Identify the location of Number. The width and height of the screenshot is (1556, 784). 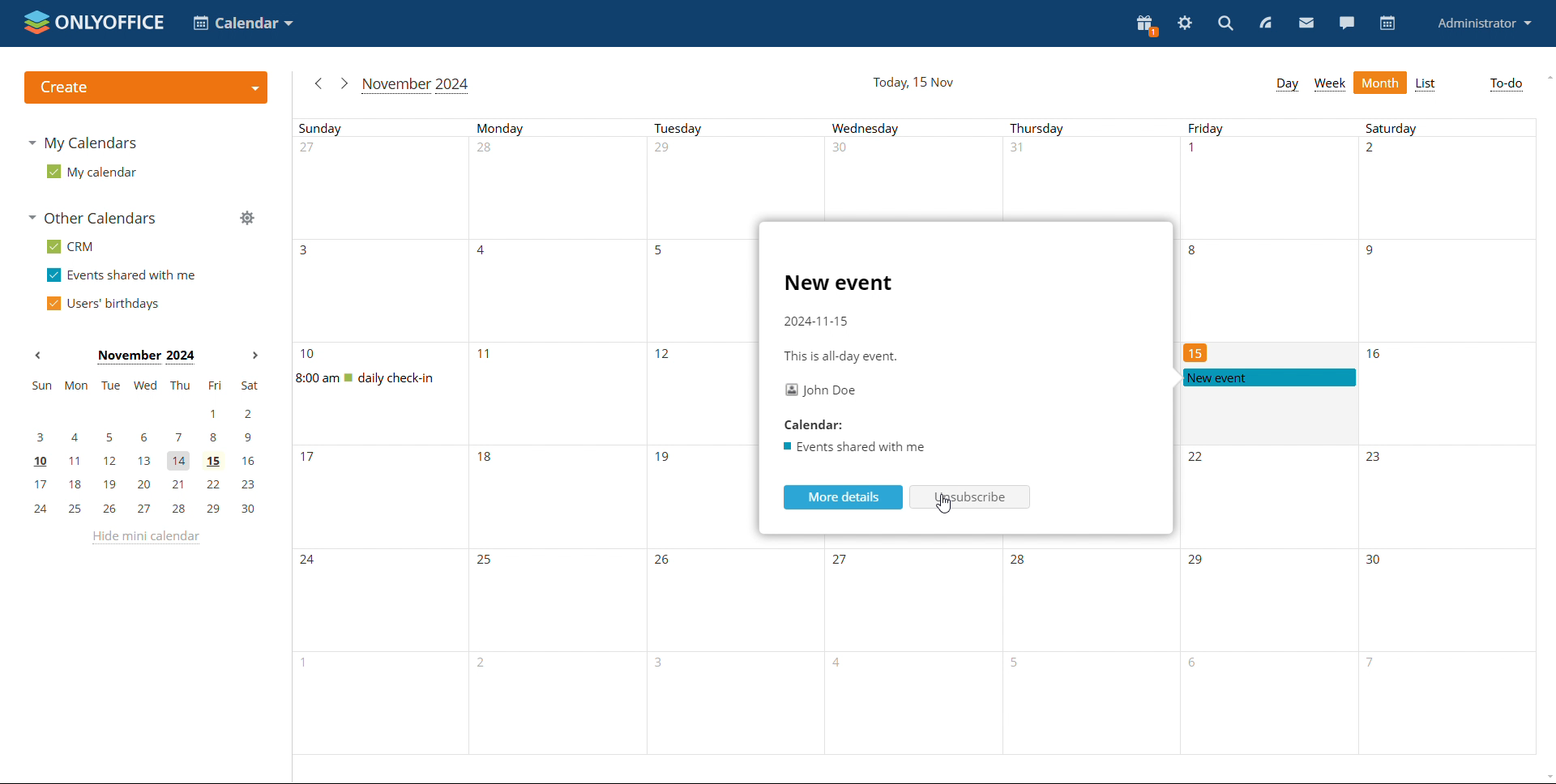
(483, 253).